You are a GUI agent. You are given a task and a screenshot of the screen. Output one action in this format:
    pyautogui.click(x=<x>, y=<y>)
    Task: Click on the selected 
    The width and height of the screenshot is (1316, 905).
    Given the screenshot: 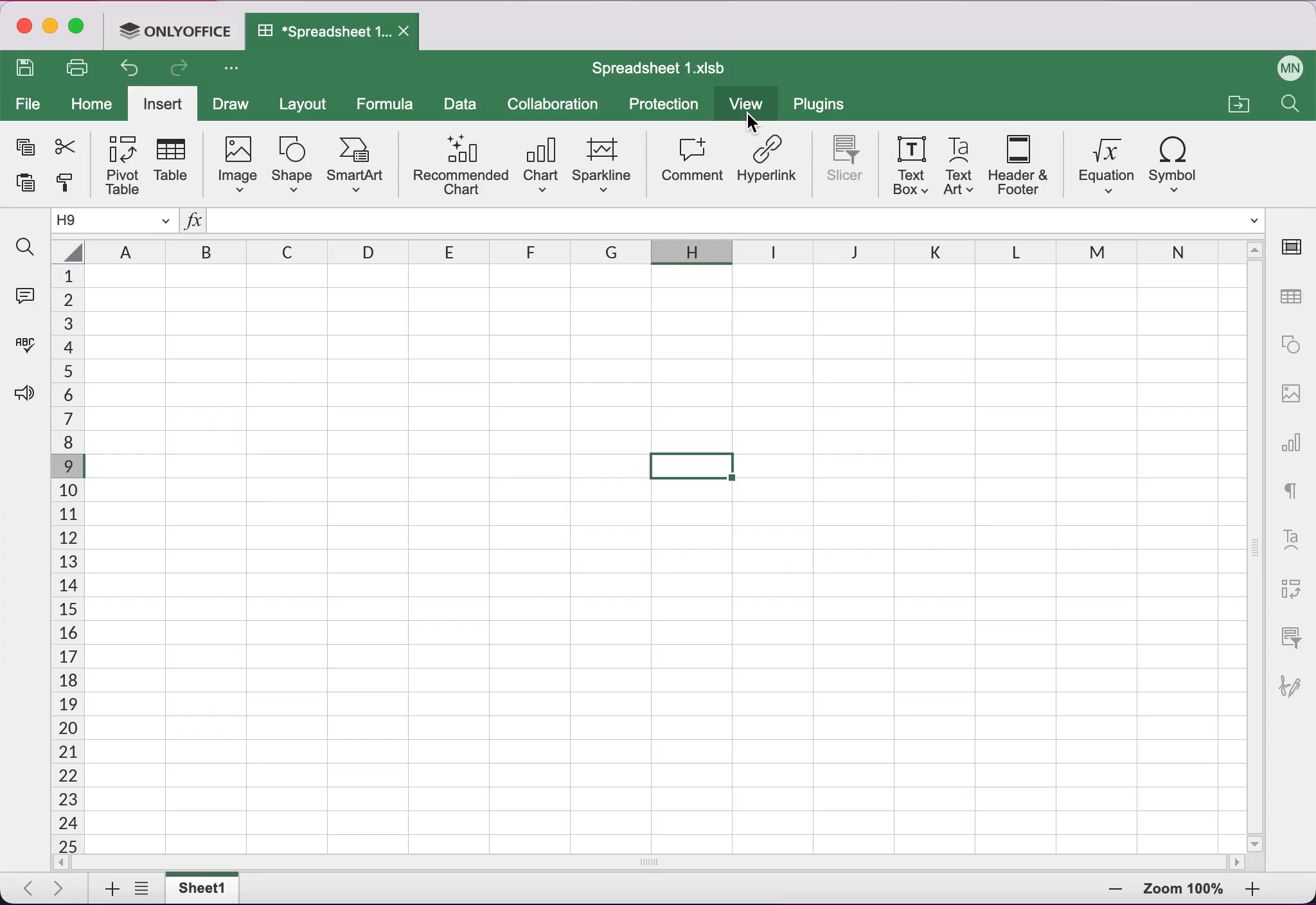 What is the action you would take?
    pyautogui.click(x=693, y=465)
    